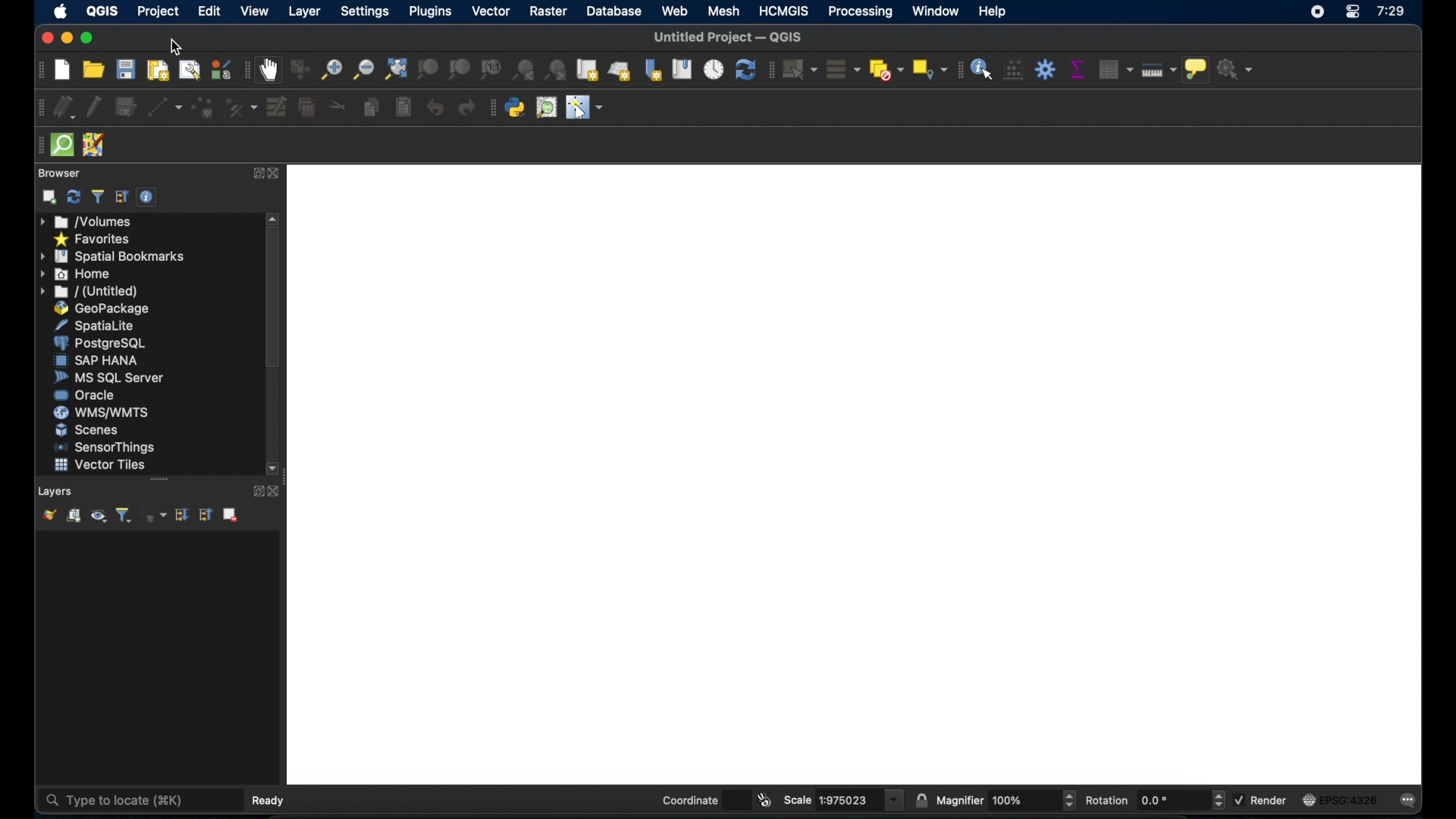 The image size is (1456, 819). Describe the element at coordinates (961, 71) in the screenshot. I see `attribute toolbar` at that location.